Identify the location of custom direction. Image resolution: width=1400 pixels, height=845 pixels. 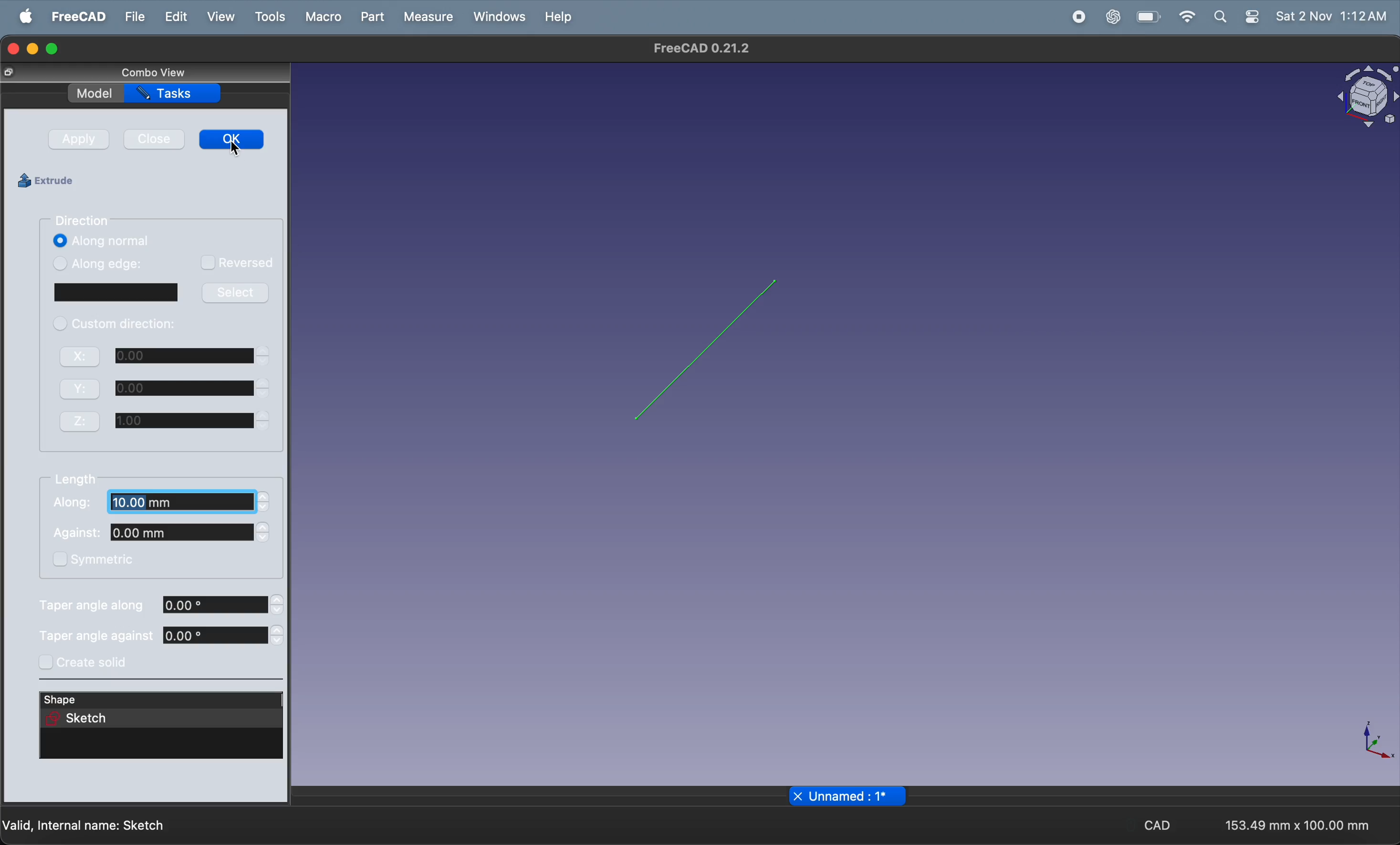
(126, 324).